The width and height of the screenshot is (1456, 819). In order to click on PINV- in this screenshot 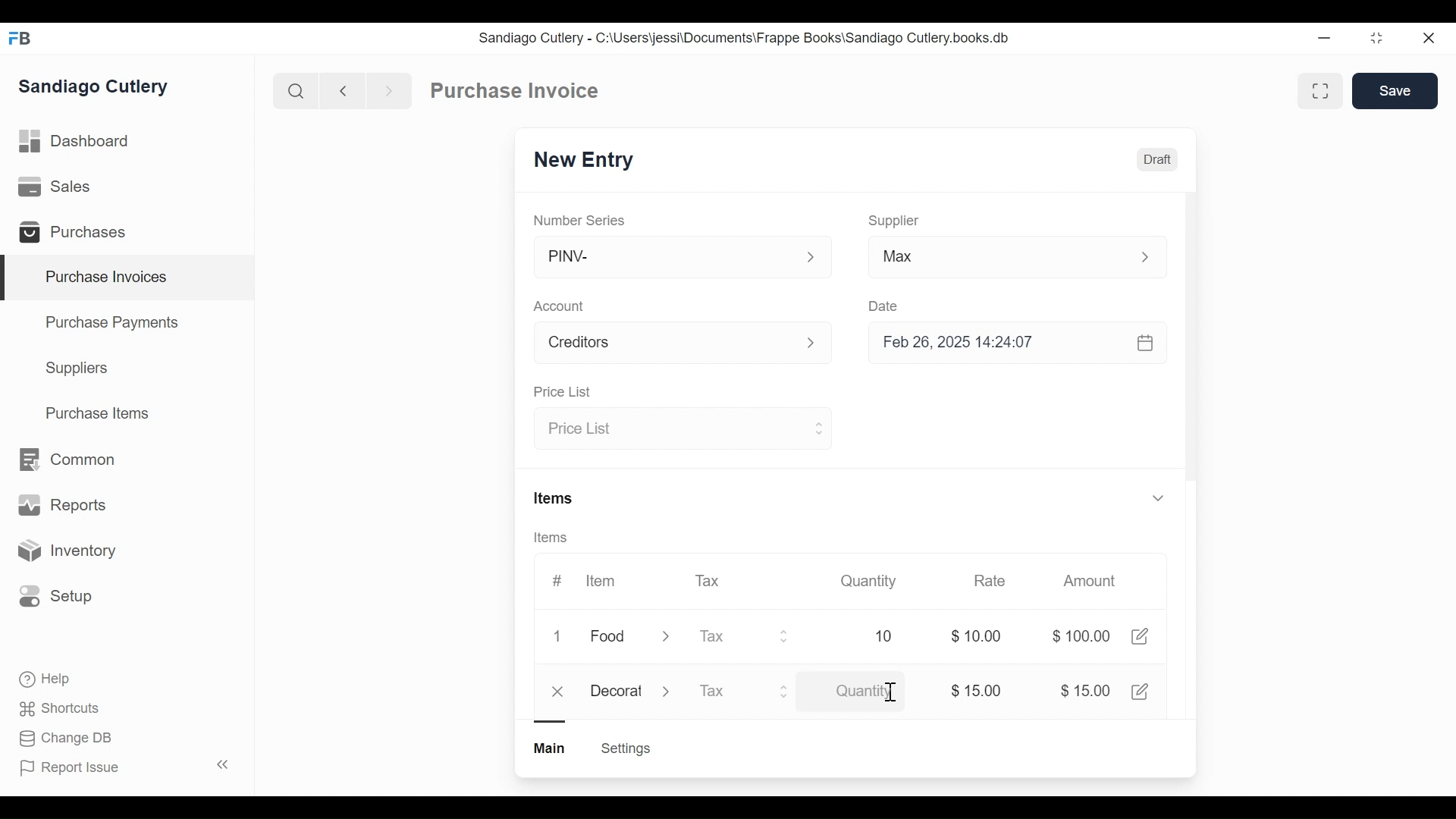, I will do `click(664, 257)`.